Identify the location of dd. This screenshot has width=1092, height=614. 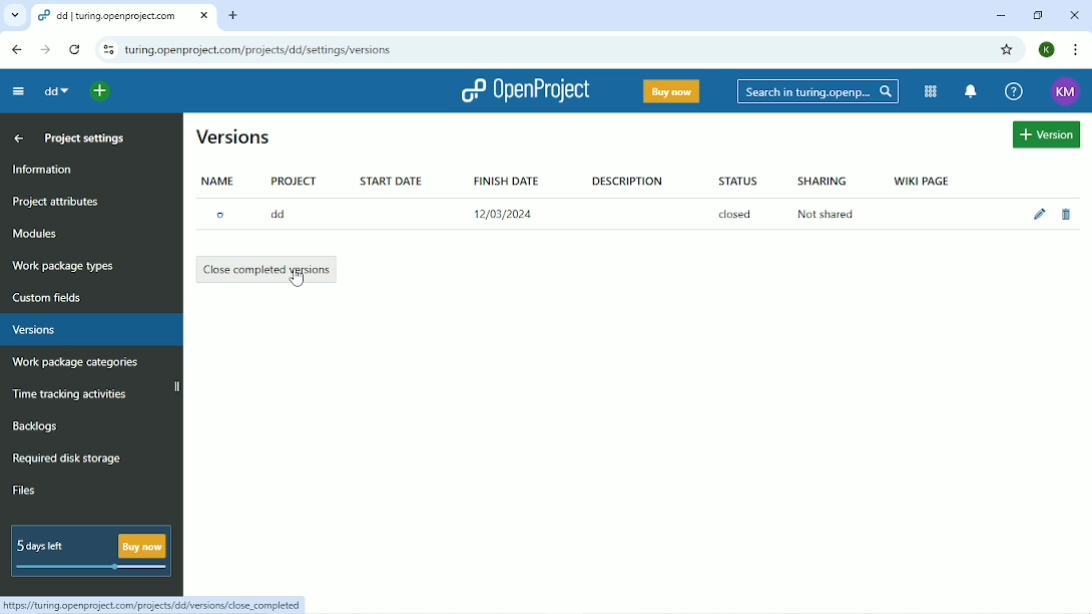
(283, 214).